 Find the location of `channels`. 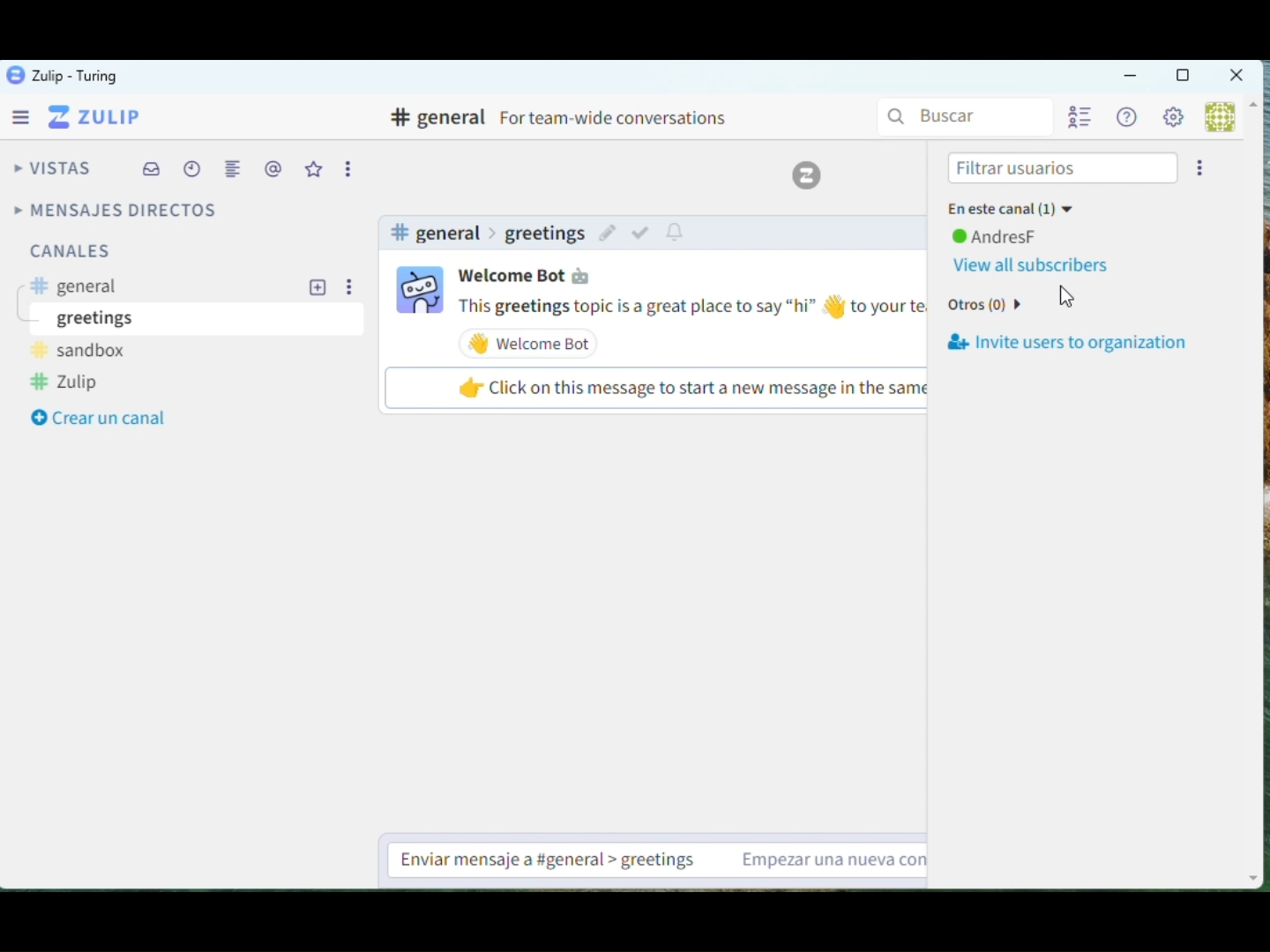

channels is located at coordinates (87, 249).